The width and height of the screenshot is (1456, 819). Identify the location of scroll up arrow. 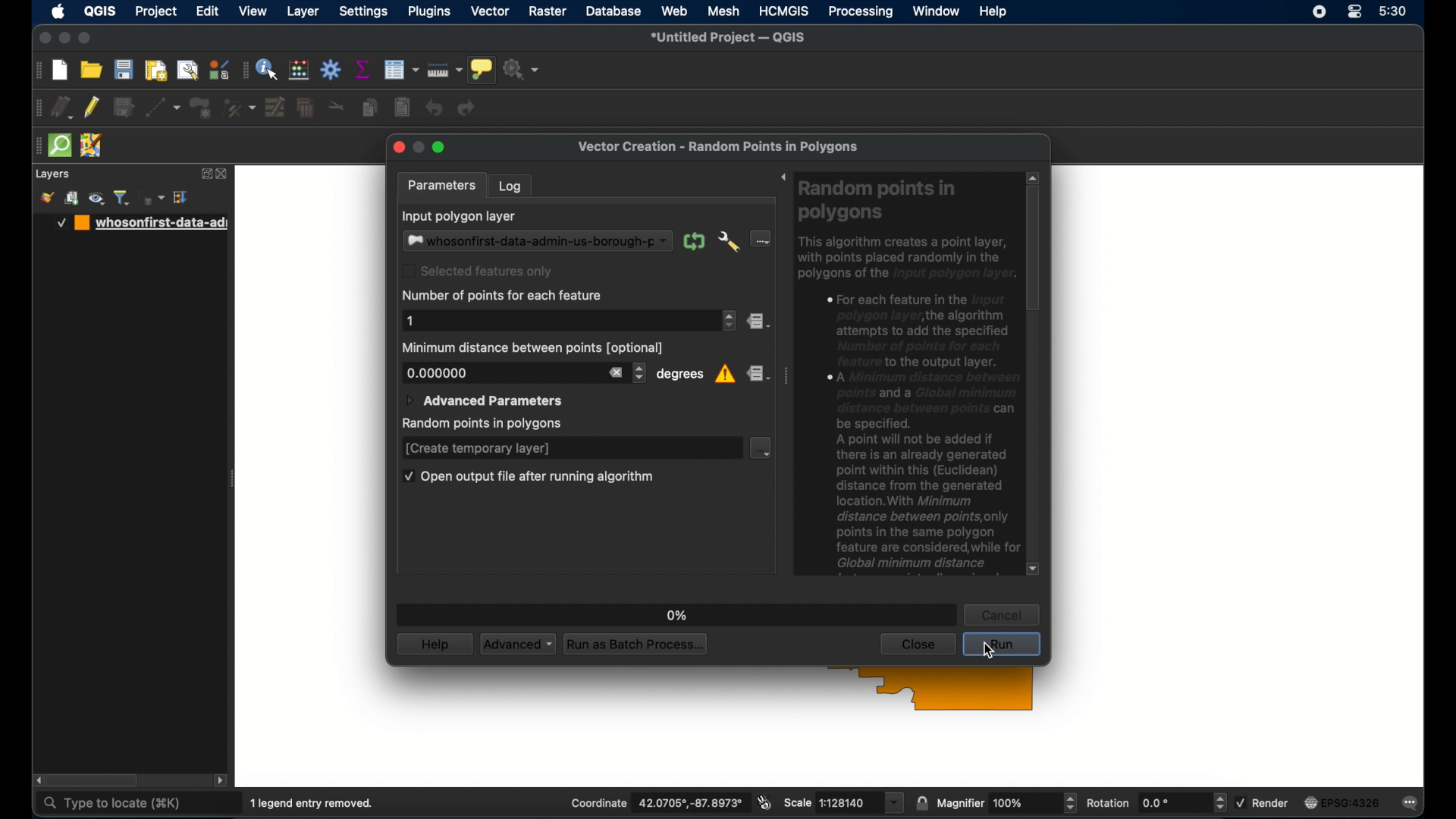
(1034, 177).